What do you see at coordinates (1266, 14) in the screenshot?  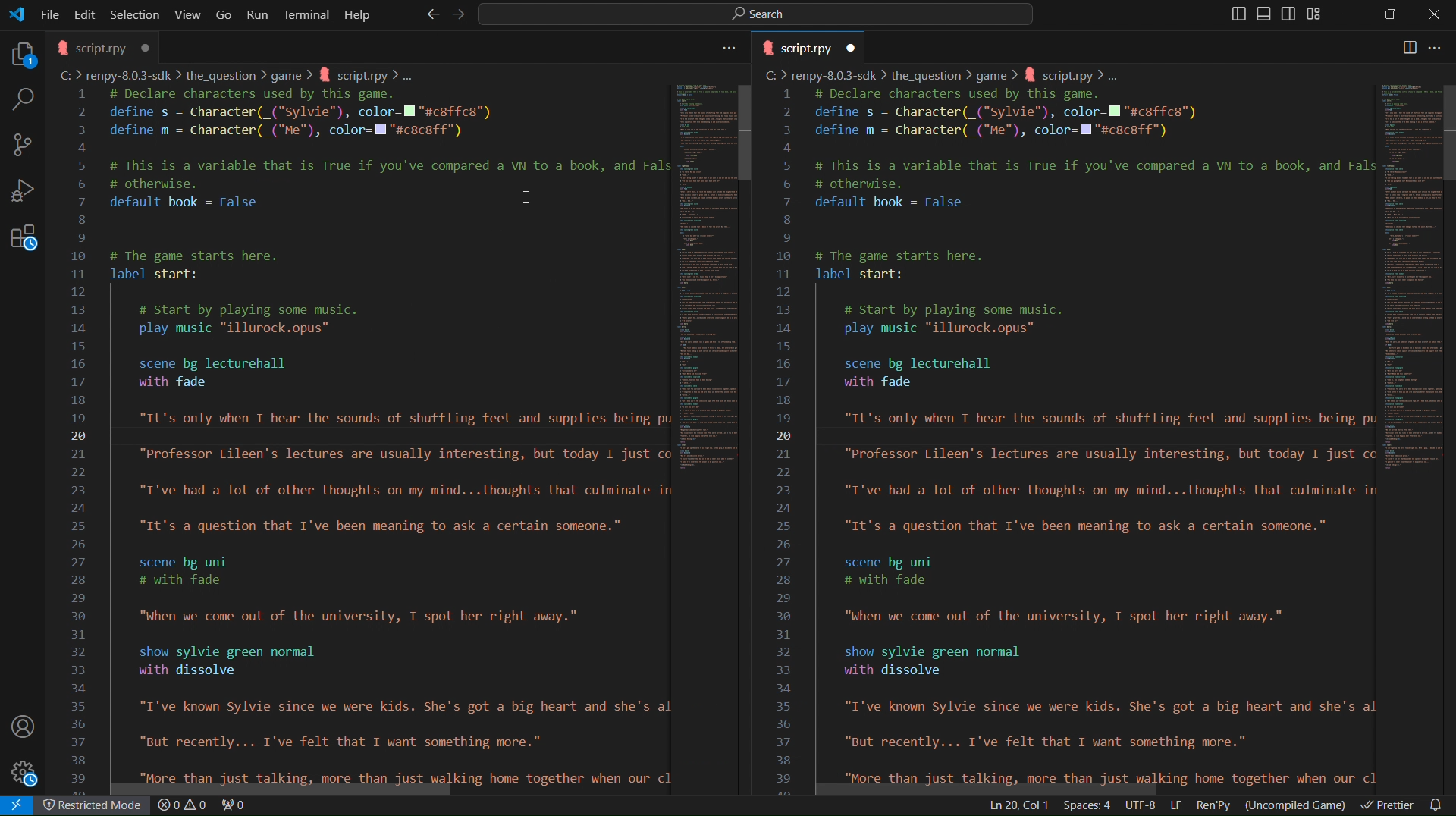 I see `Toggle Panel` at bounding box center [1266, 14].